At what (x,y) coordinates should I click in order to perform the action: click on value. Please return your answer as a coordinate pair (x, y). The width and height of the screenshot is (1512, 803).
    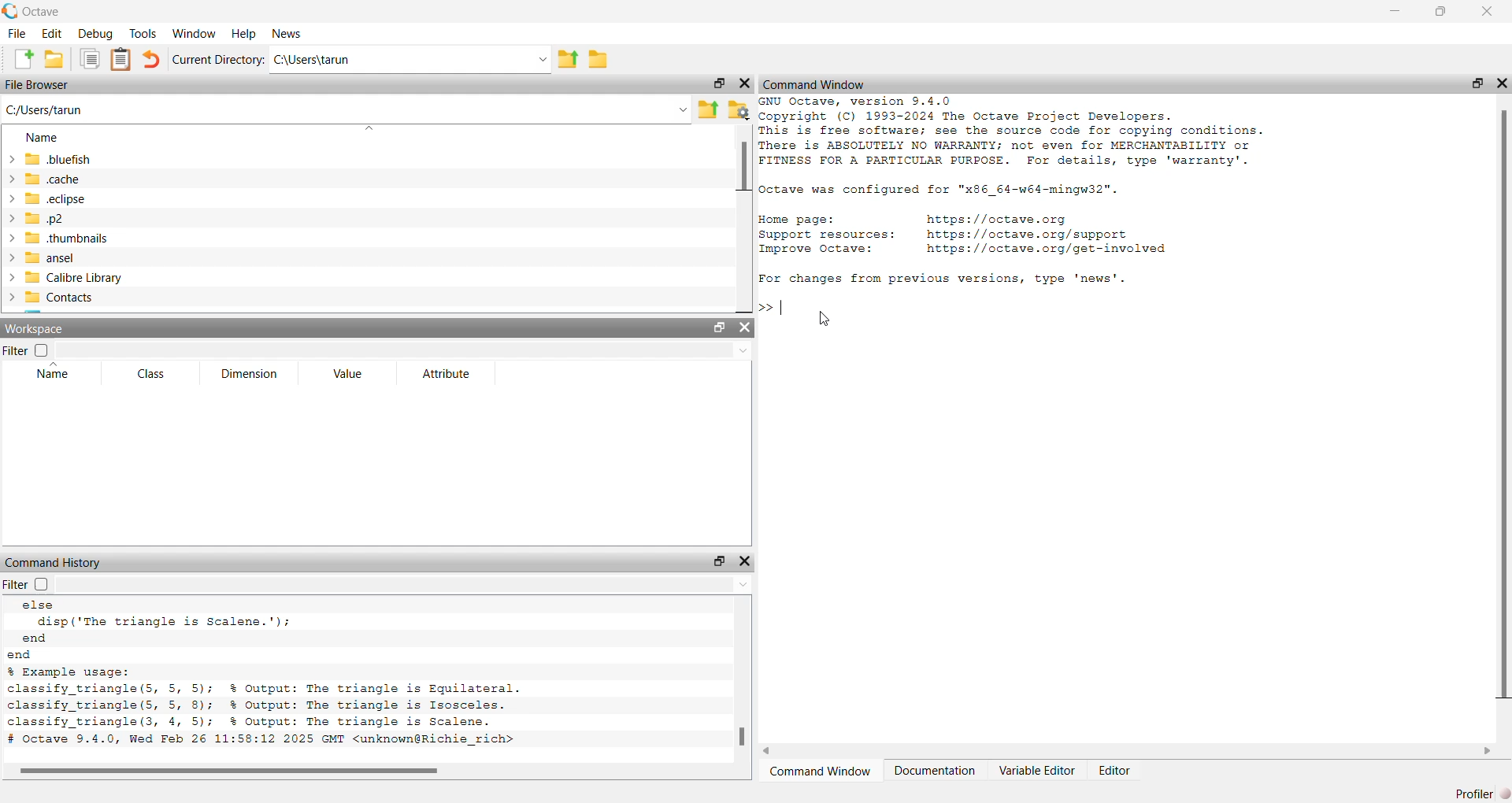
    Looking at the image, I should click on (353, 374).